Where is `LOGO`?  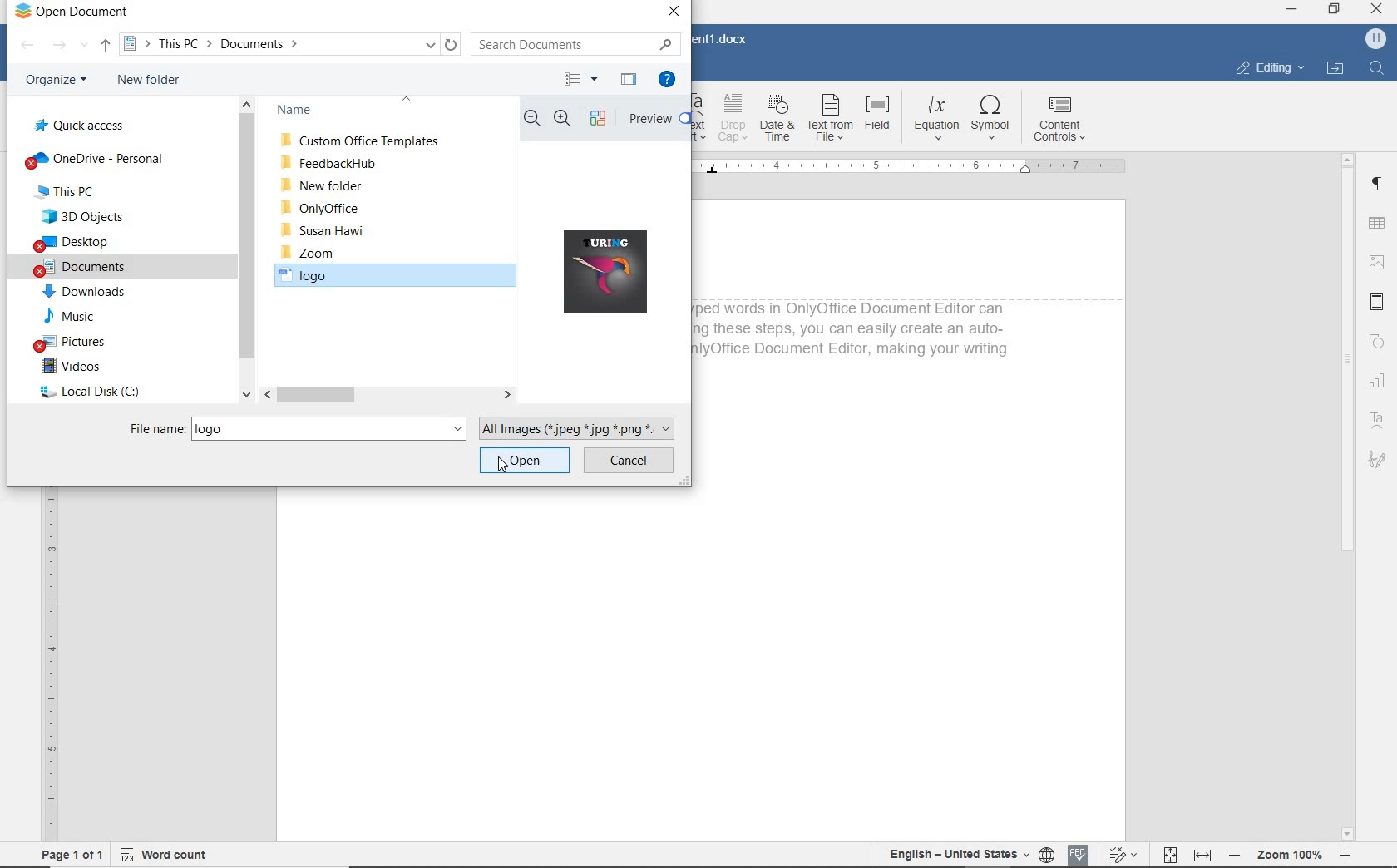 LOGO is located at coordinates (612, 274).